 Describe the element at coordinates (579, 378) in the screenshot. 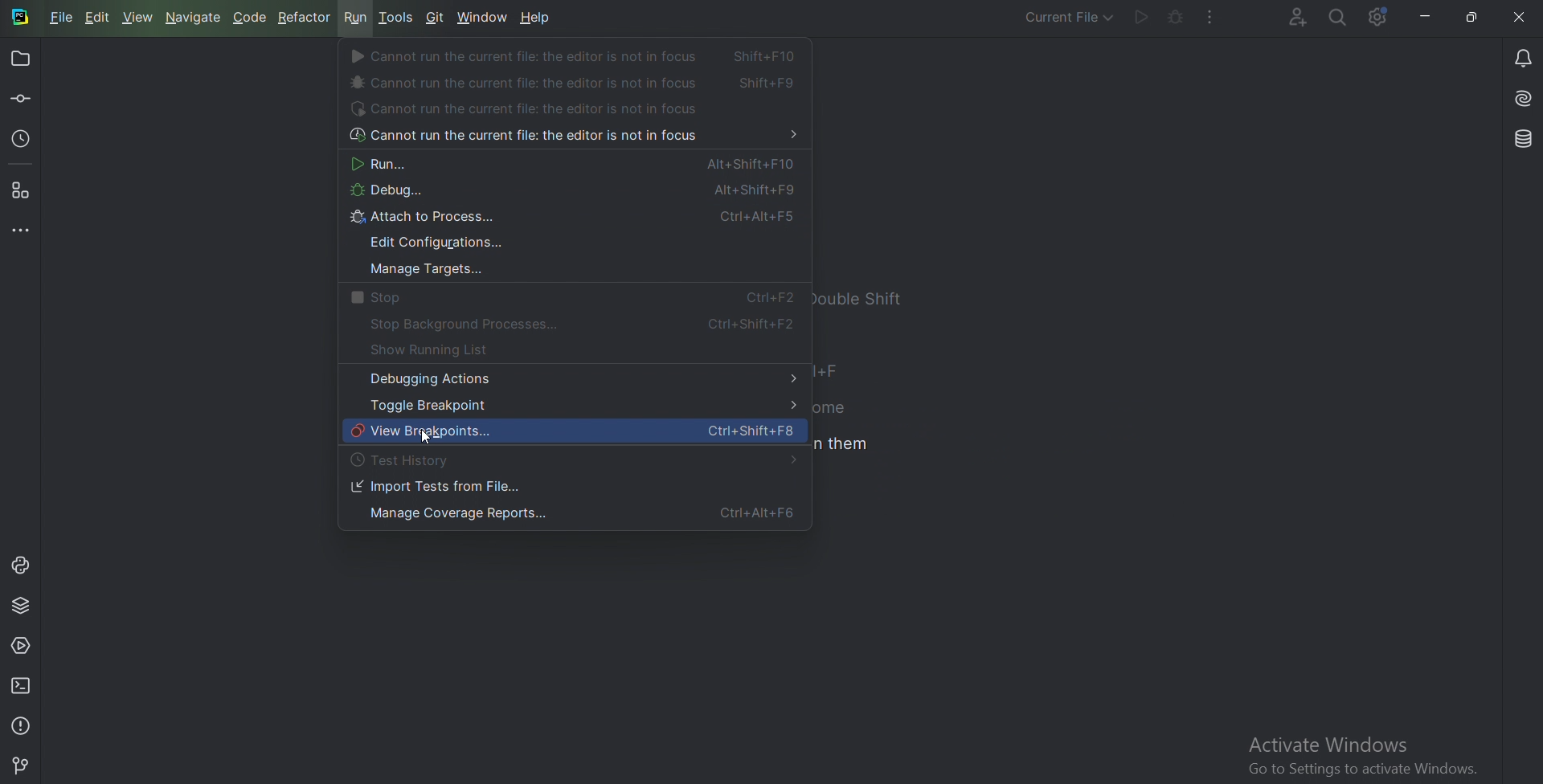

I see `Debugging actions` at that location.